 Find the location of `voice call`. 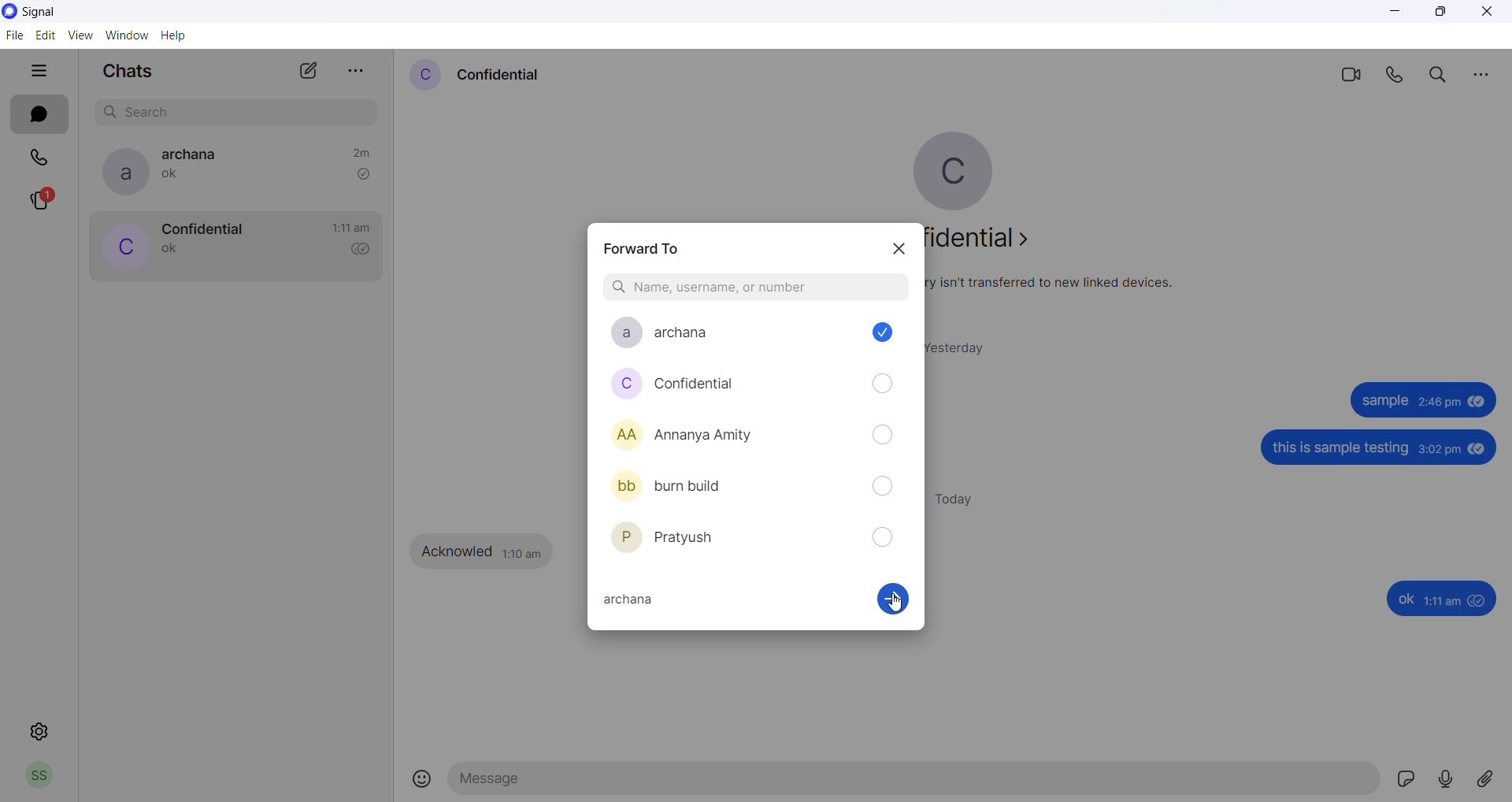

voice call is located at coordinates (1398, 75).